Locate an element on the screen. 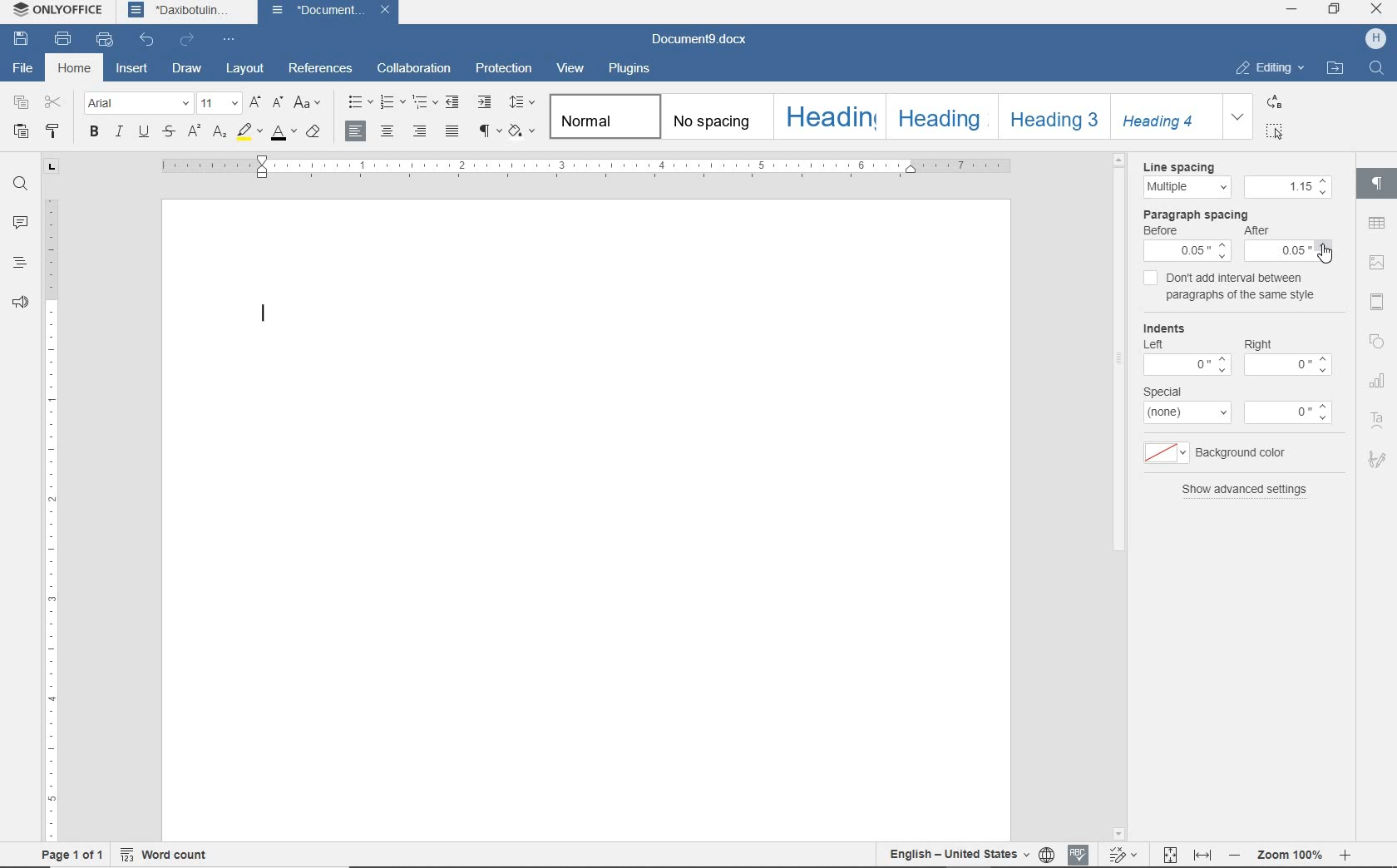 This screenshot has width=1397, height=868. value is located at coordinates (1289, 365).